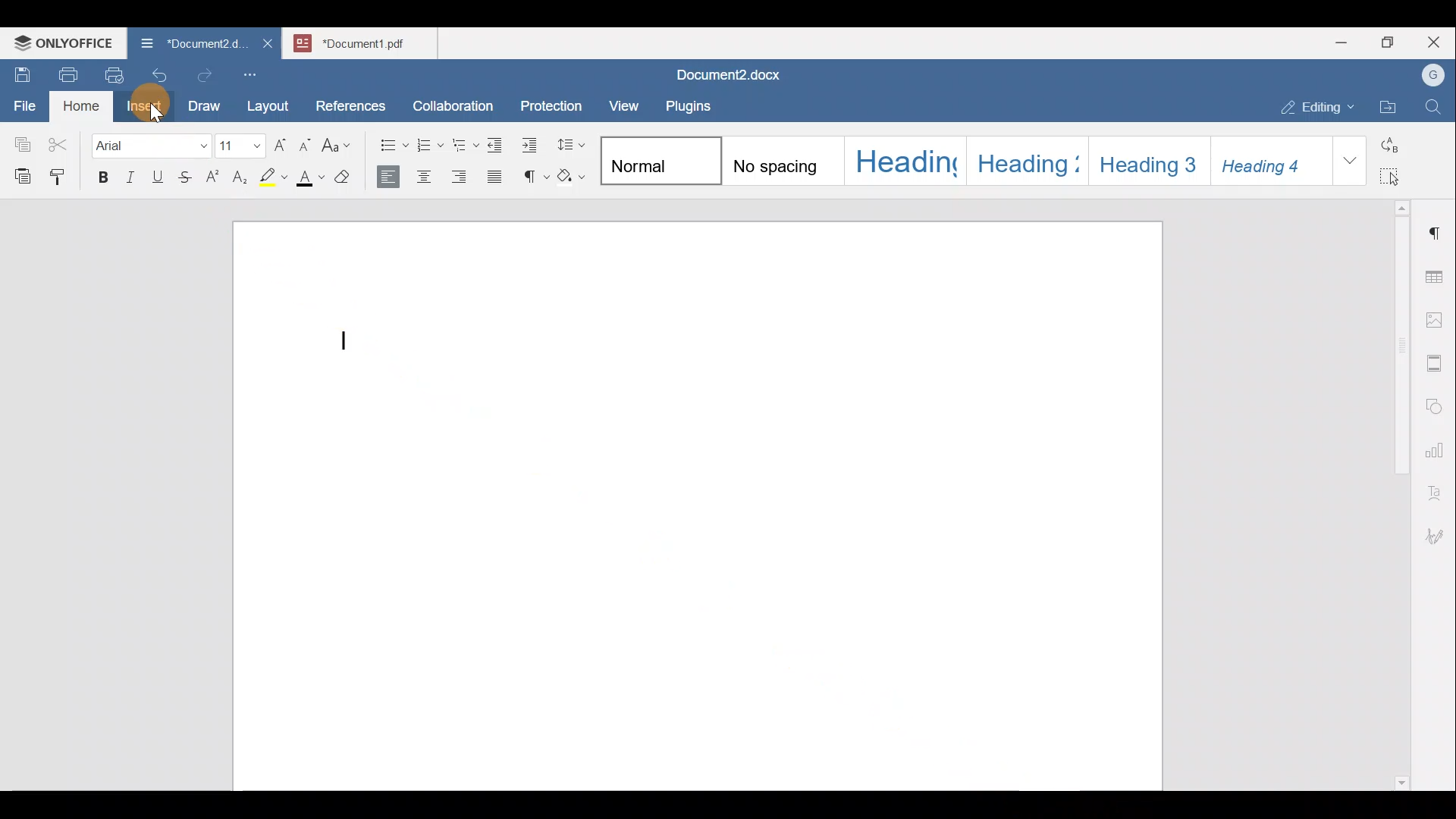 The width and height of the screenshot is (1456, 819). What do you see at coordinates (242, 177) in the screenshot?
I see `Subscript` at bounding box center [242, 177].